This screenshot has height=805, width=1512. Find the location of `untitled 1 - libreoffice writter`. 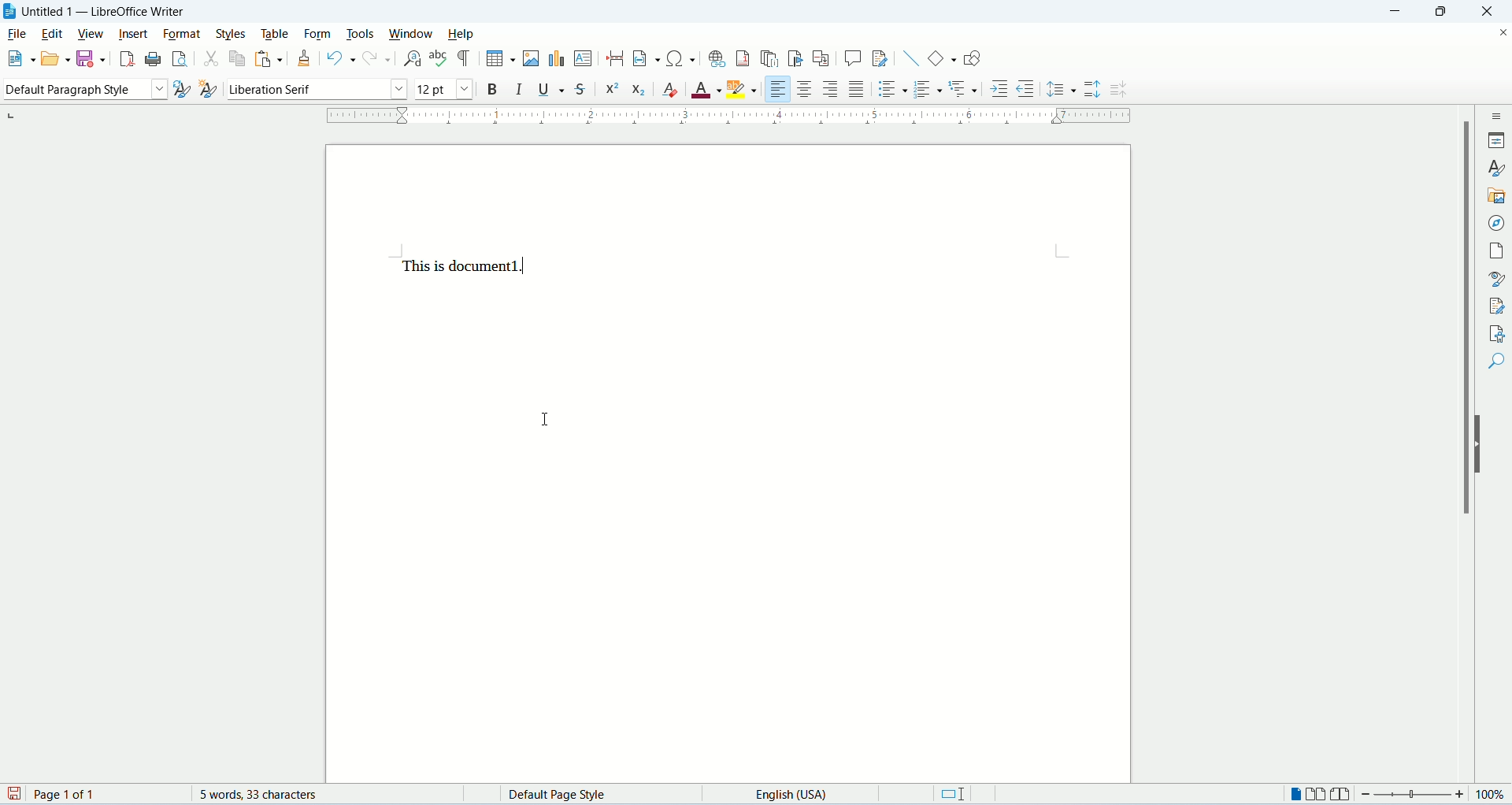

untitled 1 - libreoffice writter is located at coordinates (108, 12).